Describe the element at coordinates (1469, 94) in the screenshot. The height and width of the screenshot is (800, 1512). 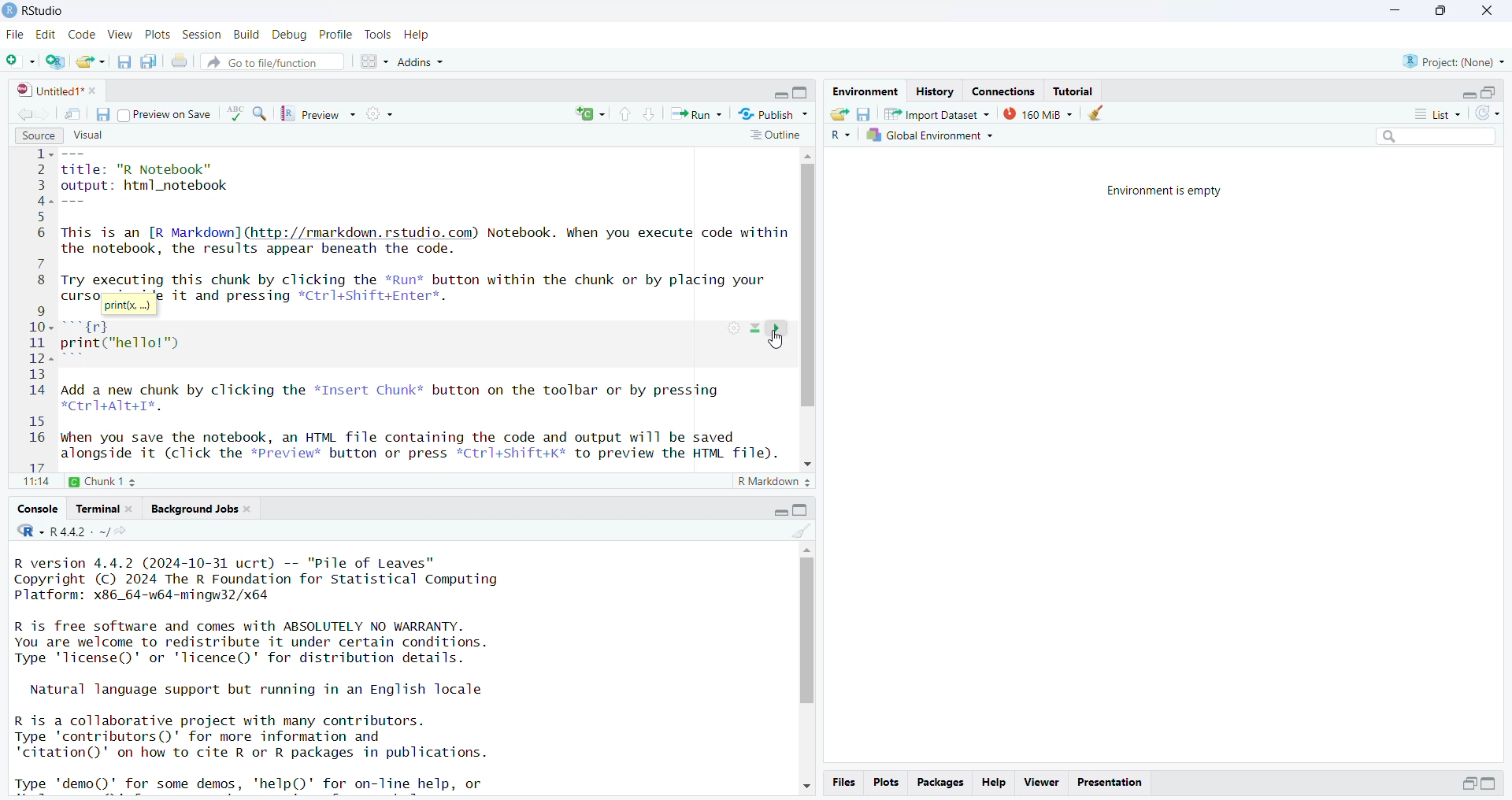
I see `expand` at that location.